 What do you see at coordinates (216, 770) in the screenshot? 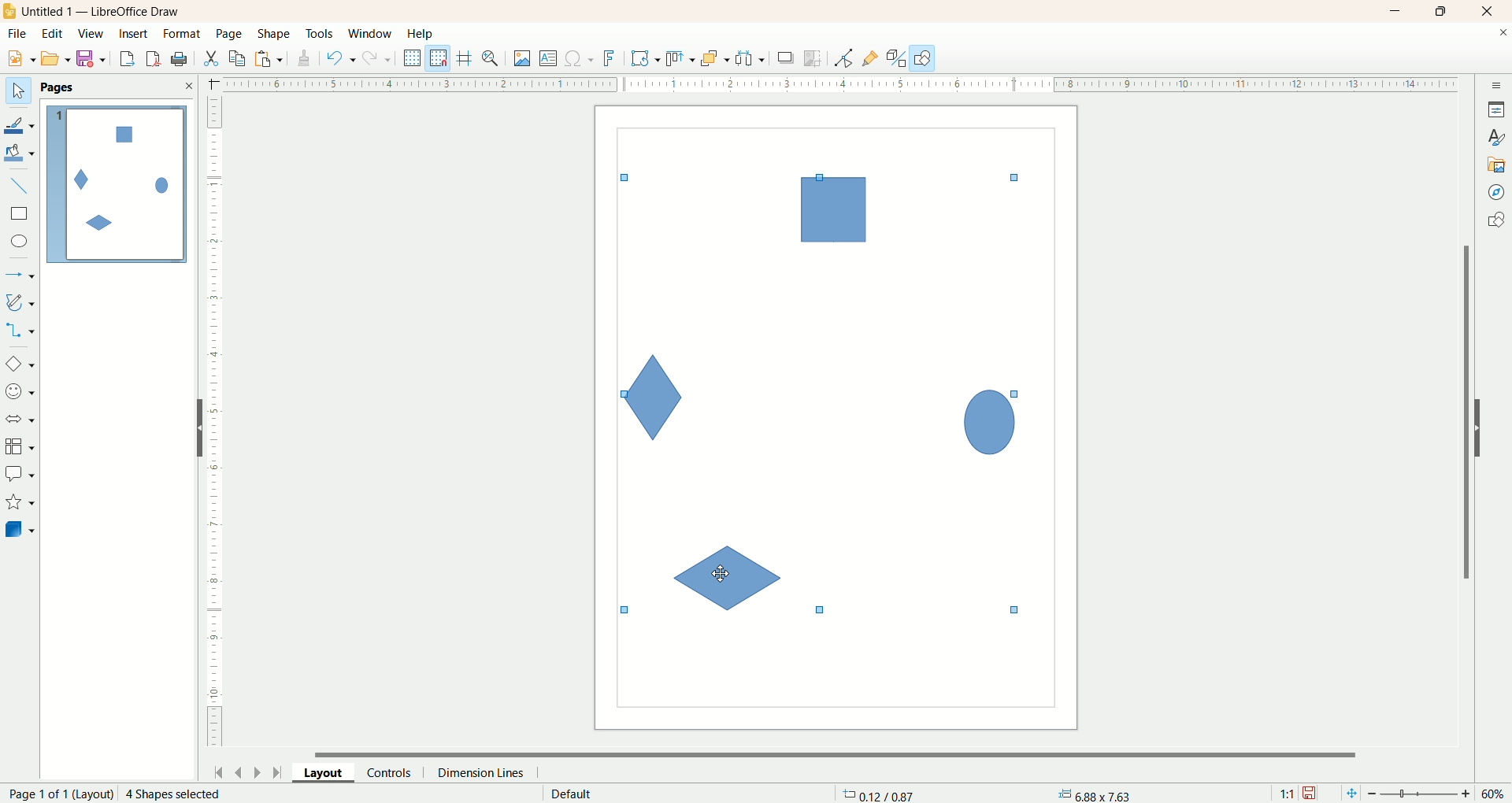
I see `first page` at bounding box center [216, 770].